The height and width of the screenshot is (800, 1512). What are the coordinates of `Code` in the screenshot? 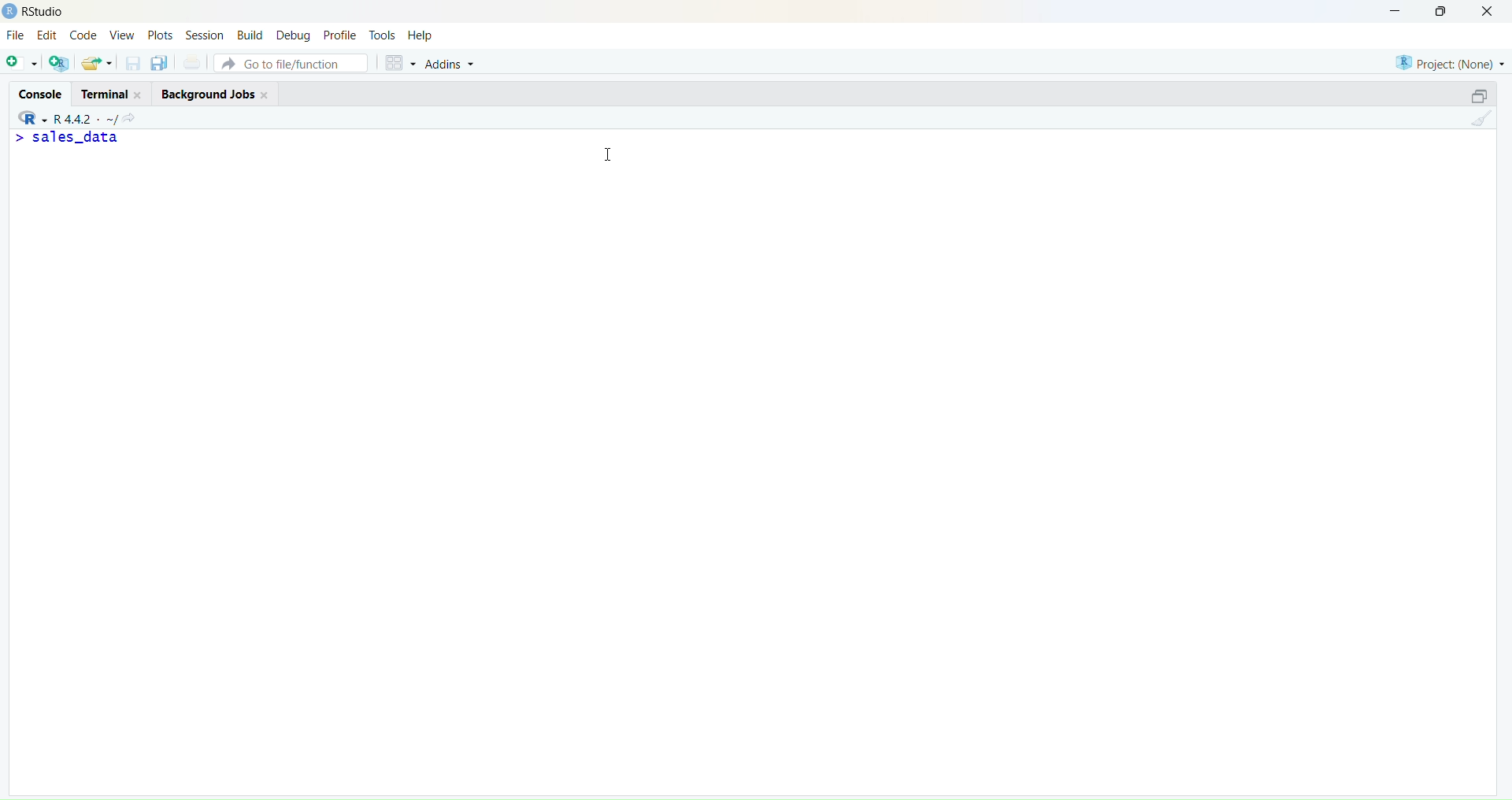 It's located at (84, 35).